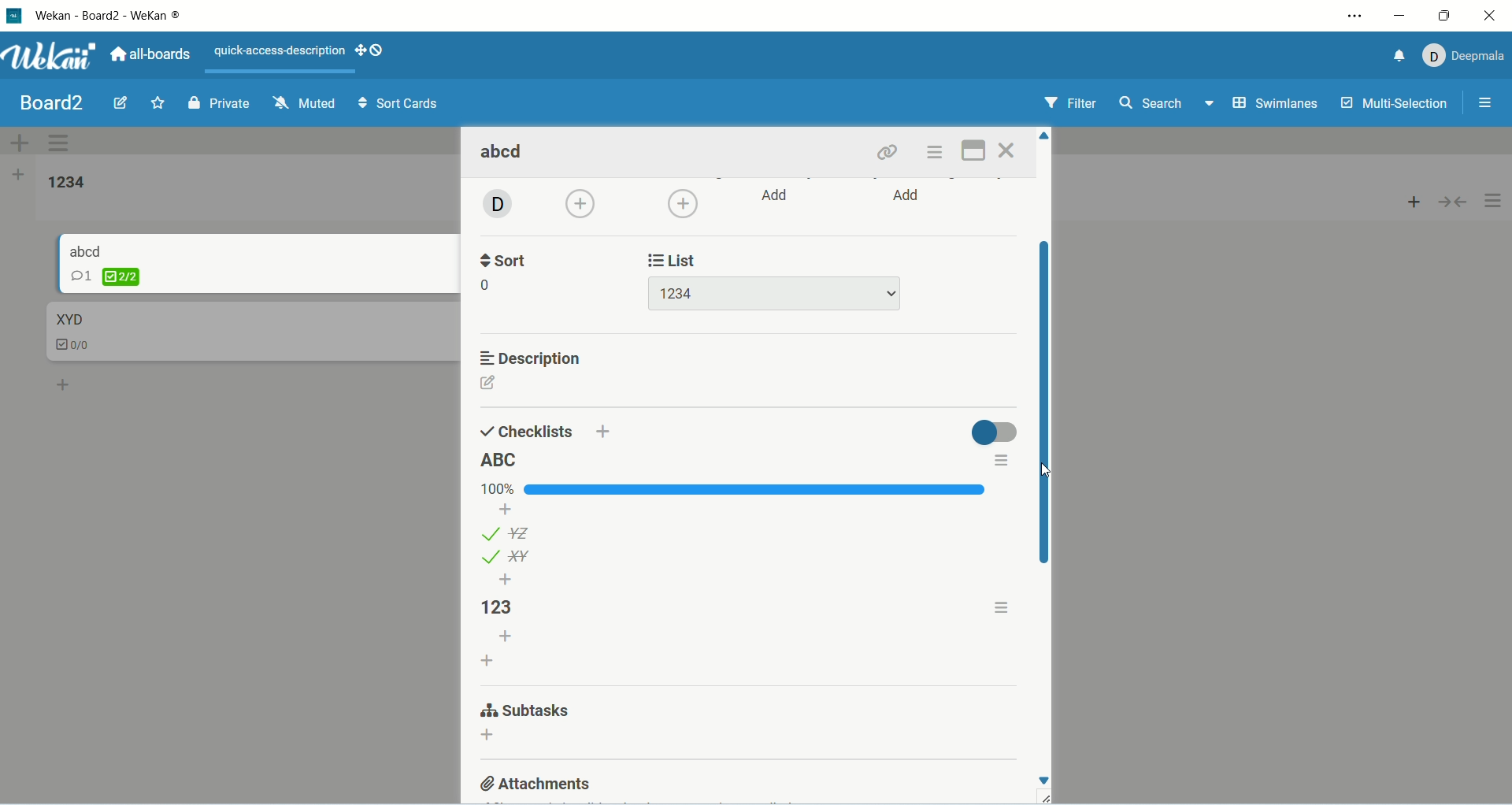  I want to click on private, so click(216, 106).